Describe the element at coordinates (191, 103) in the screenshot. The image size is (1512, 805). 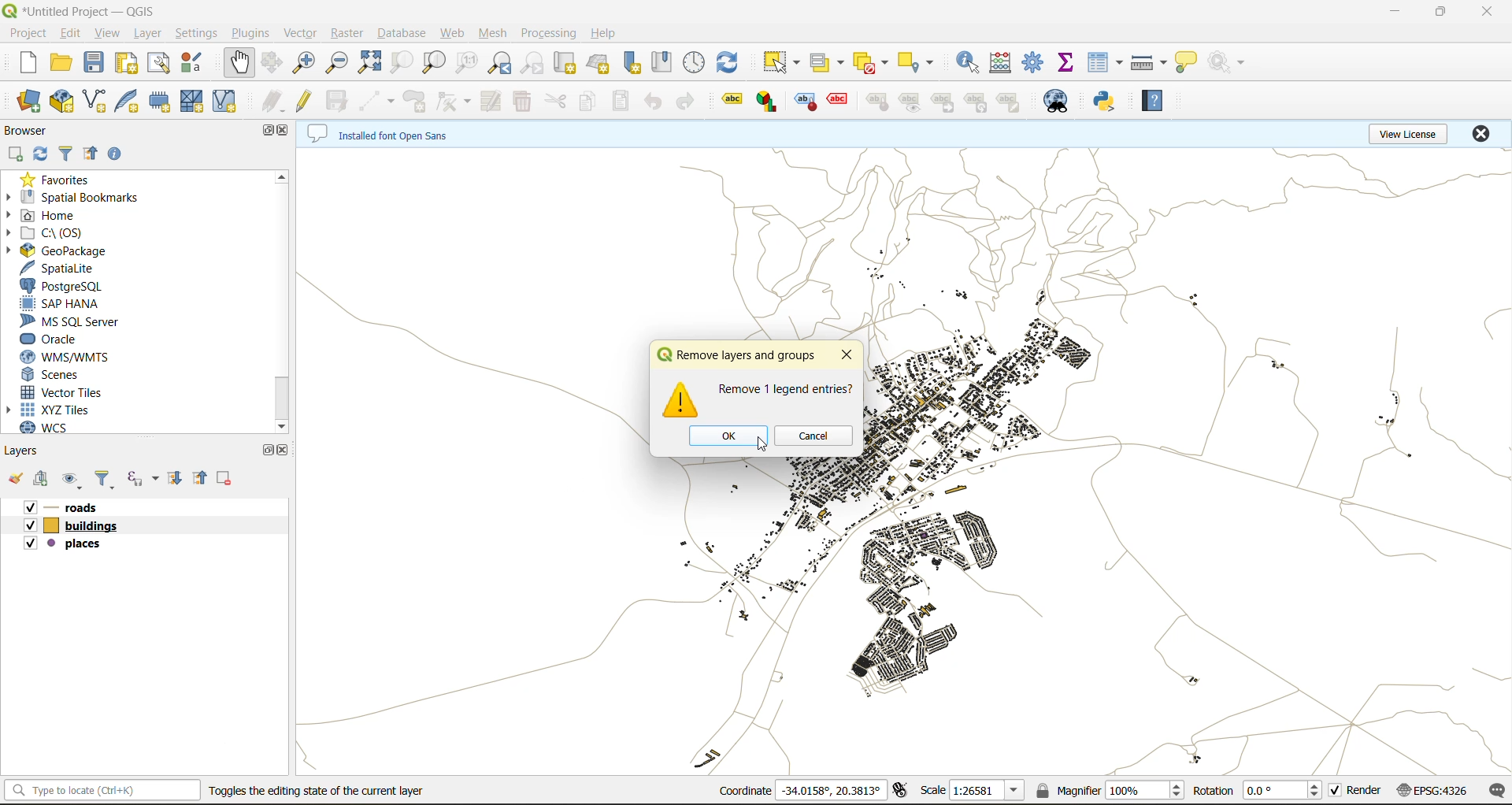
I see `mesh layer` at that location.